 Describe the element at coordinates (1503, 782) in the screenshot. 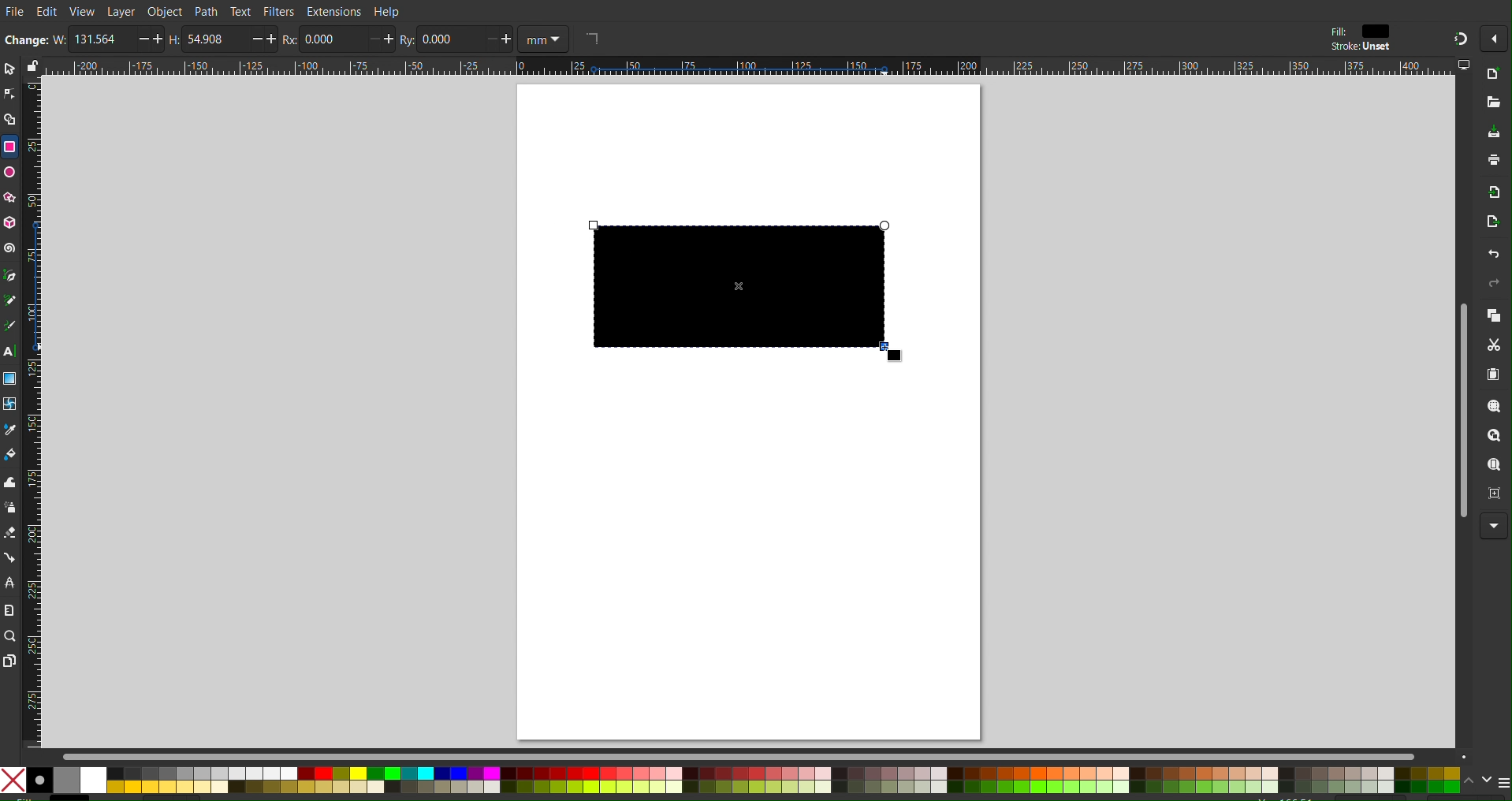

I see `menu` at that location.